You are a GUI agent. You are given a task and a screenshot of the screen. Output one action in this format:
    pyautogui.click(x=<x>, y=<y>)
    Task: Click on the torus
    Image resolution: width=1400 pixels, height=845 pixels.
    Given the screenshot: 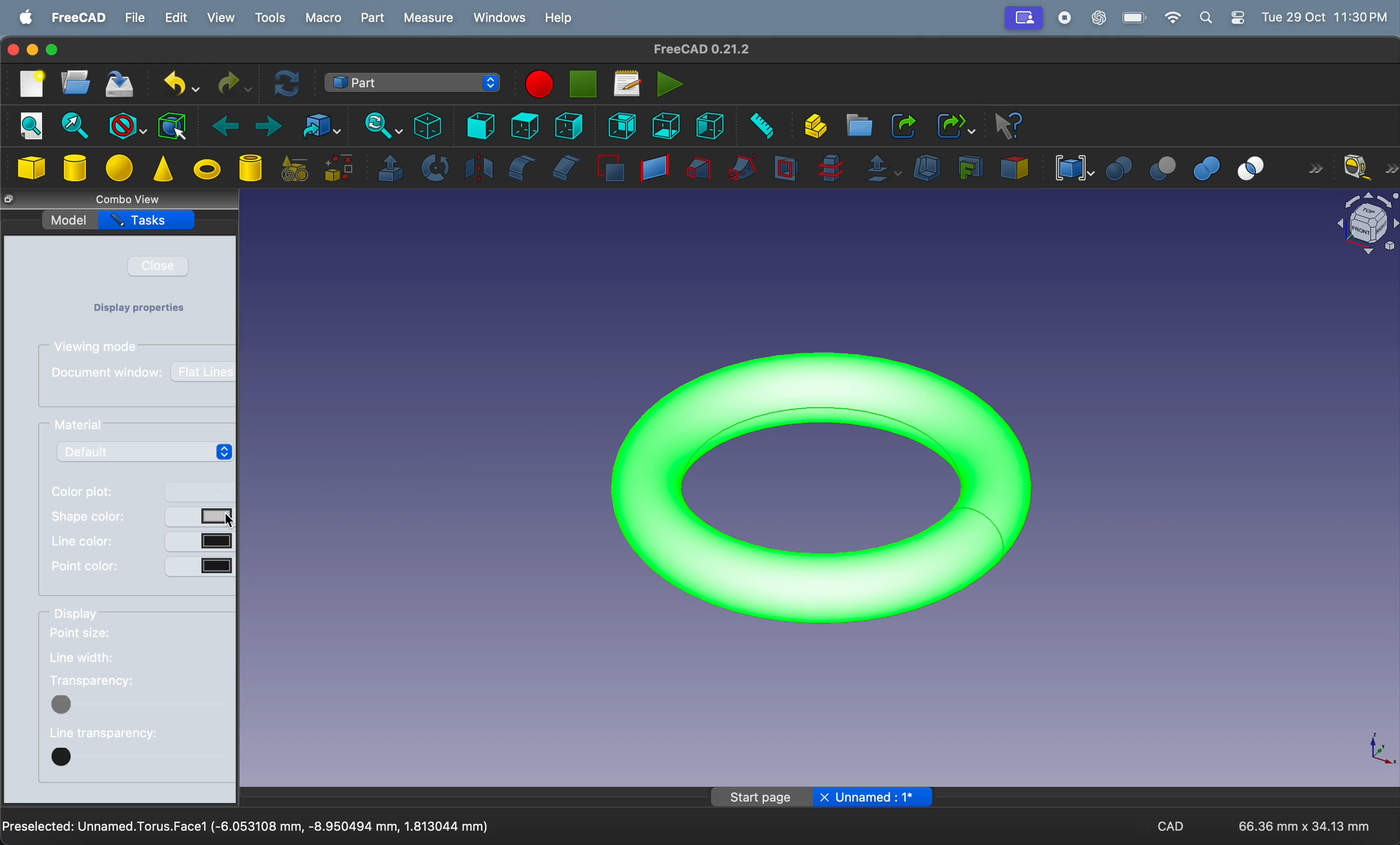 What is the action you would take?
    pyautogui.click(x=208, y=171)
    